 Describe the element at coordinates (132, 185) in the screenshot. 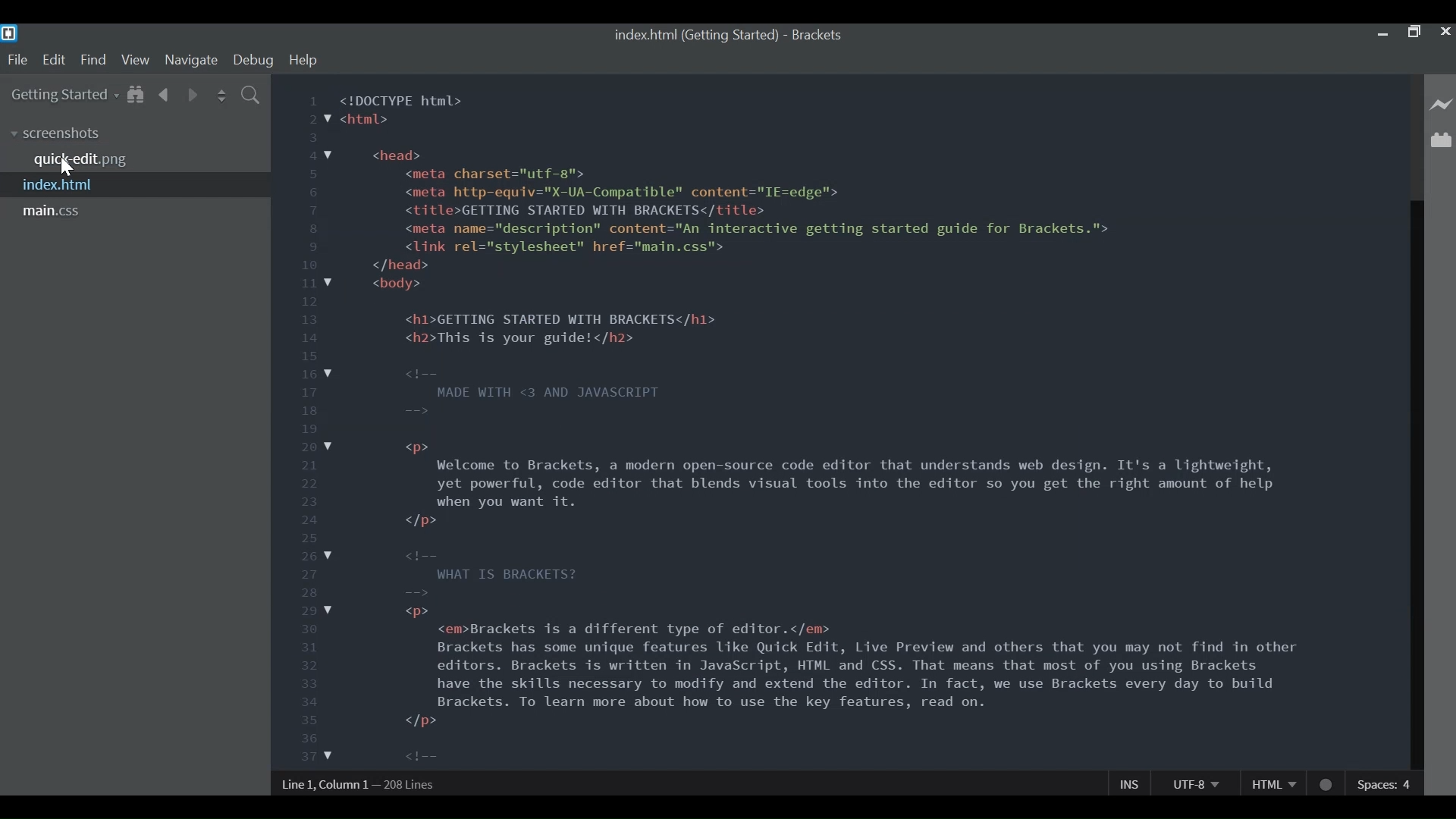

I see `index.html` at that location.